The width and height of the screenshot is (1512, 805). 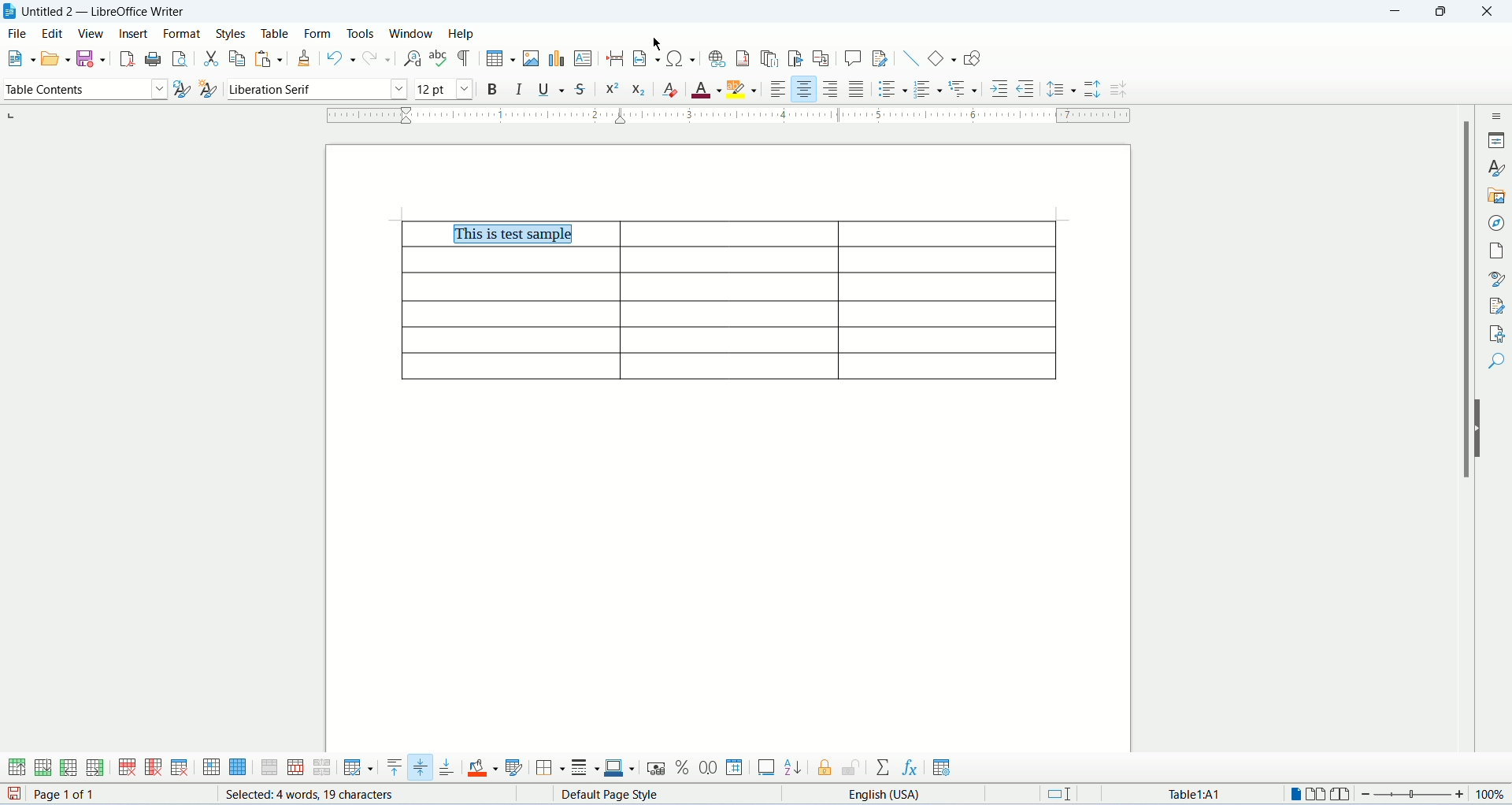 What do you see at coordinates (645, 57) in the screenshot?
I see `insert field` at bounding box center [645, 57].